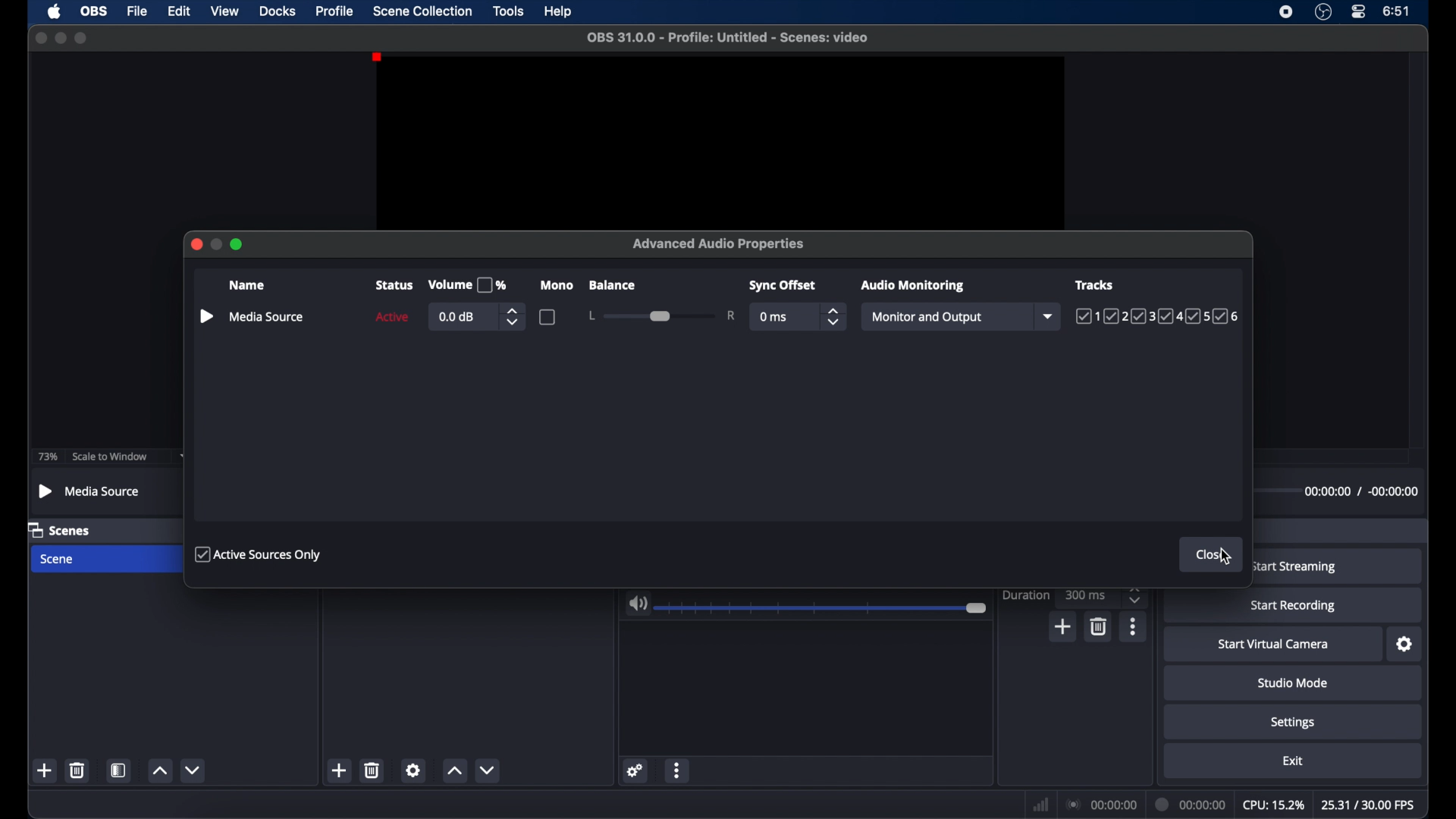 The height and width of the screenshot is (819, 1456). What do you see at coordinates (278, 11) in the screenshot?
I see `docks` at bounding box center [278, 11].